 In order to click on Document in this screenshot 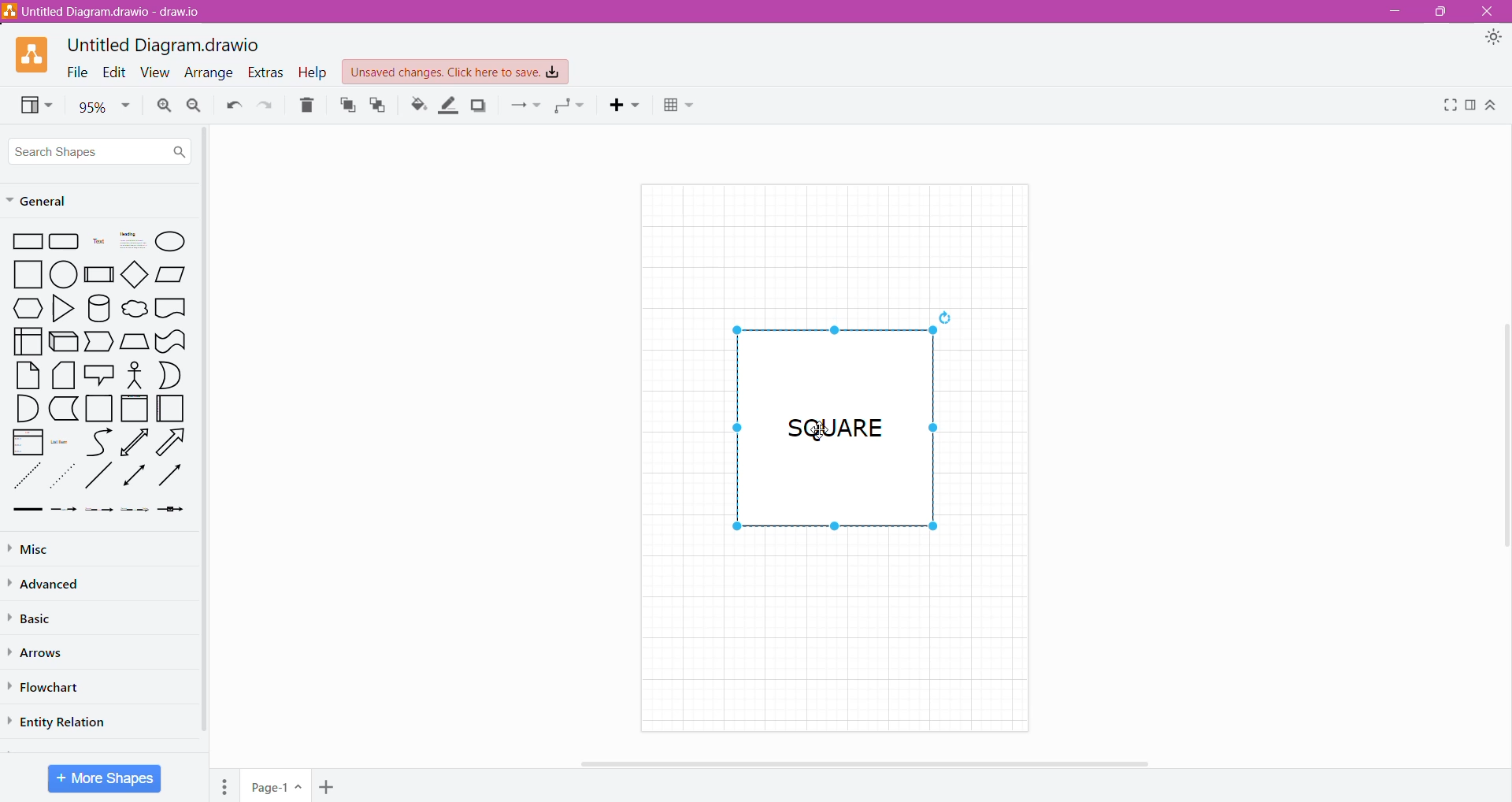, I will do `click(171, 308)`.